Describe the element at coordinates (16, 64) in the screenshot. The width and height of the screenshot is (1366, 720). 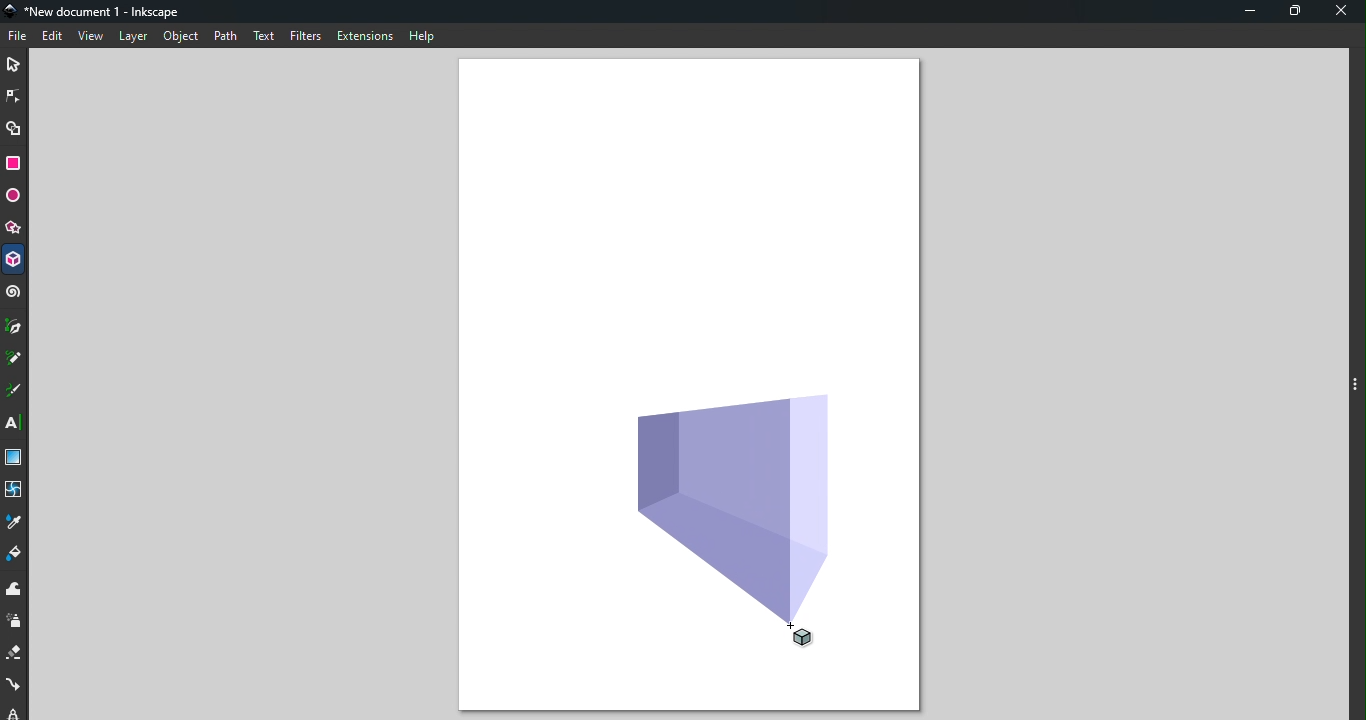
I see `Selector tool` at that location.